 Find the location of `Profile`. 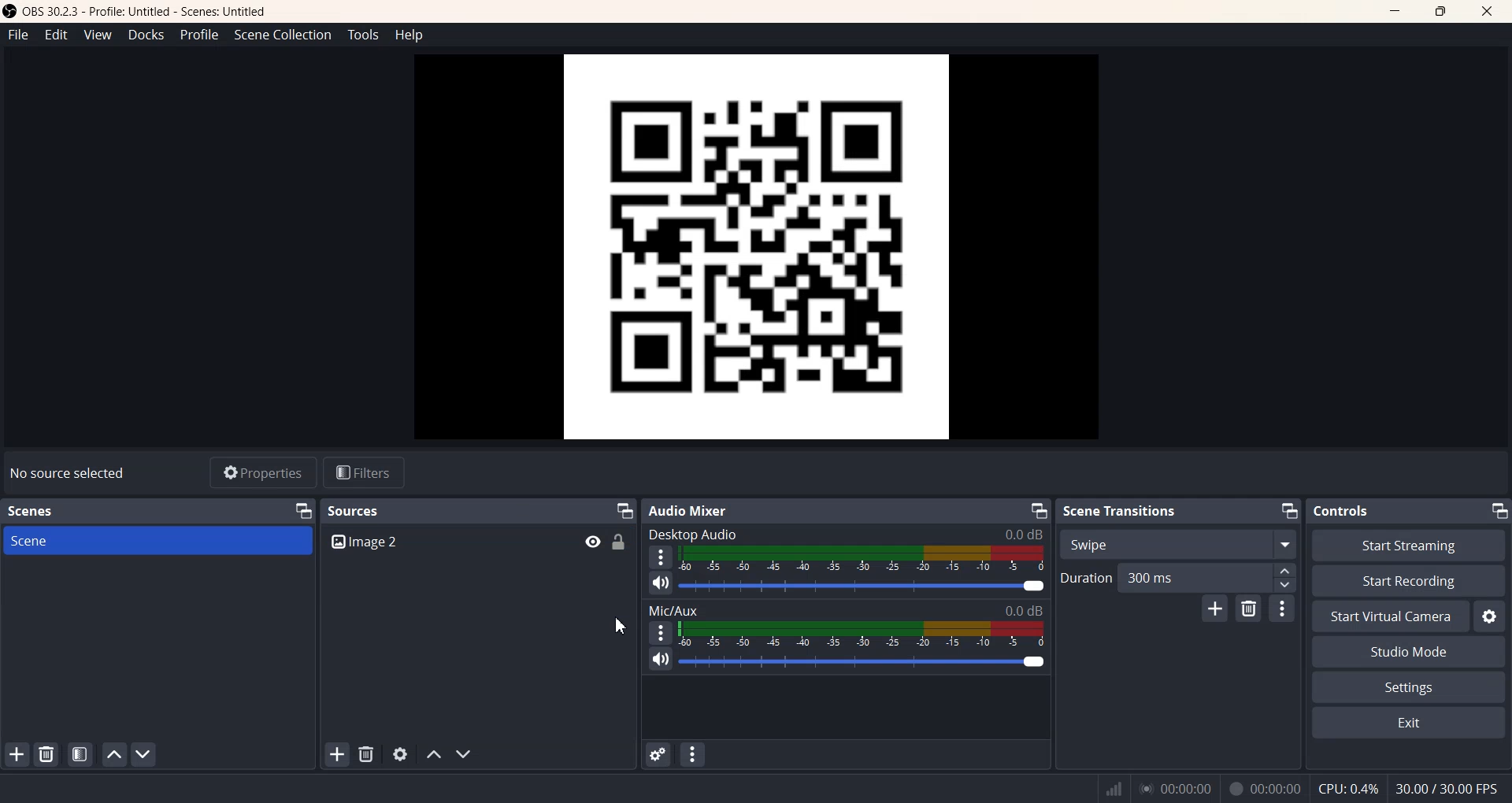

Profile is located at coordinates (198, 34).